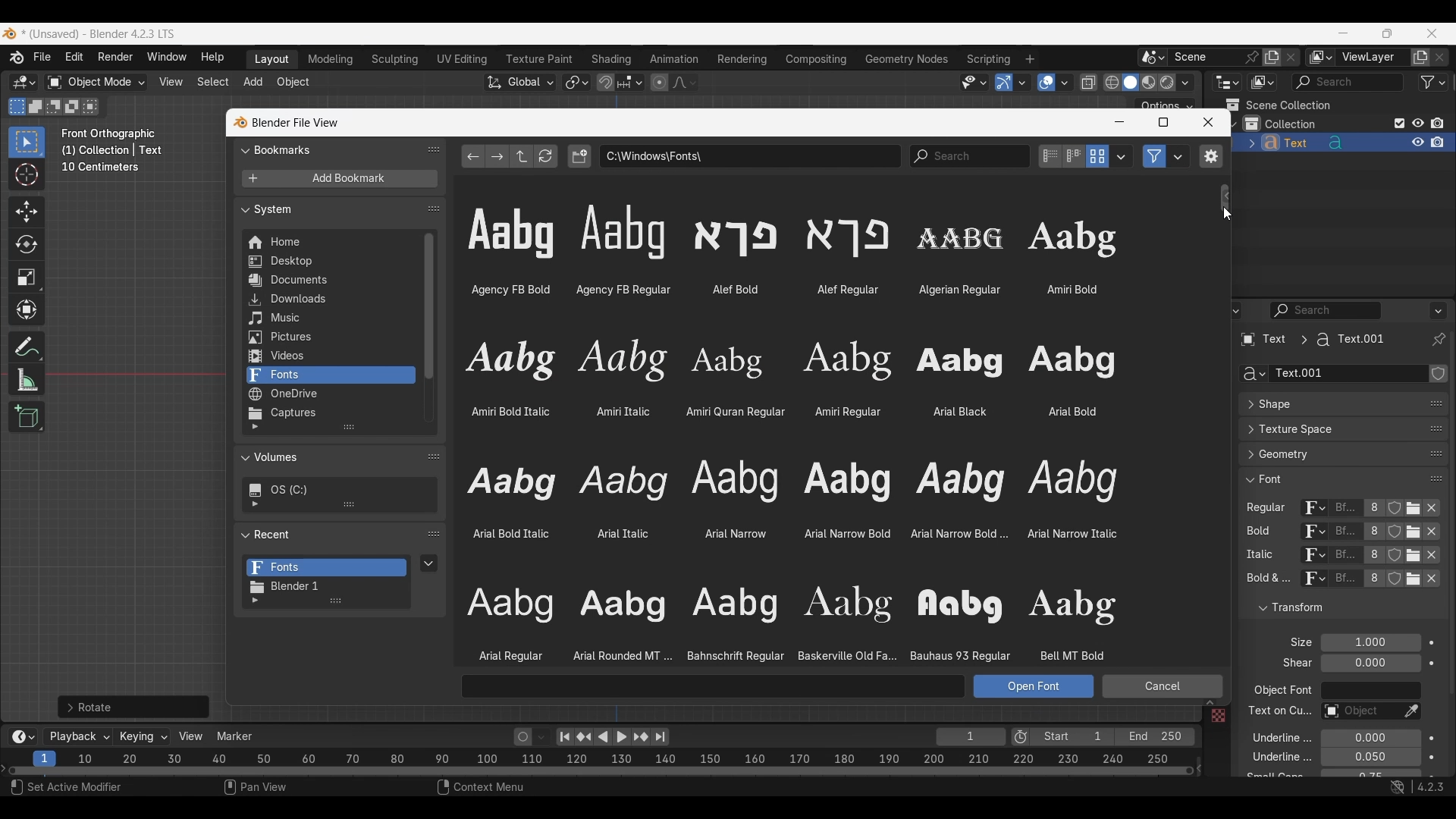  I want to click on underline, so click(1272, 737).